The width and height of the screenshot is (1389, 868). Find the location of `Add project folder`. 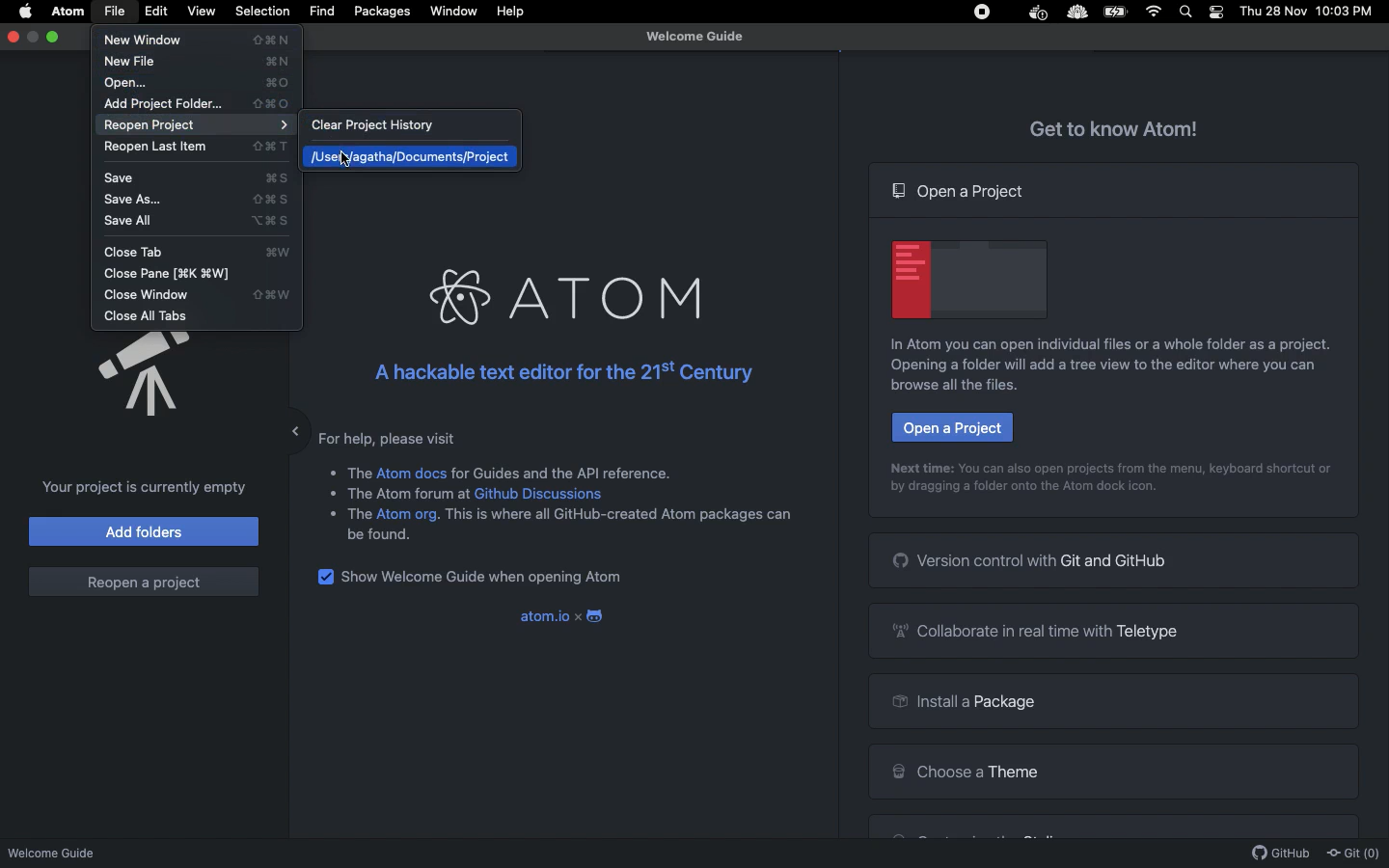

Add project folder is located at coordinates (197, 104).